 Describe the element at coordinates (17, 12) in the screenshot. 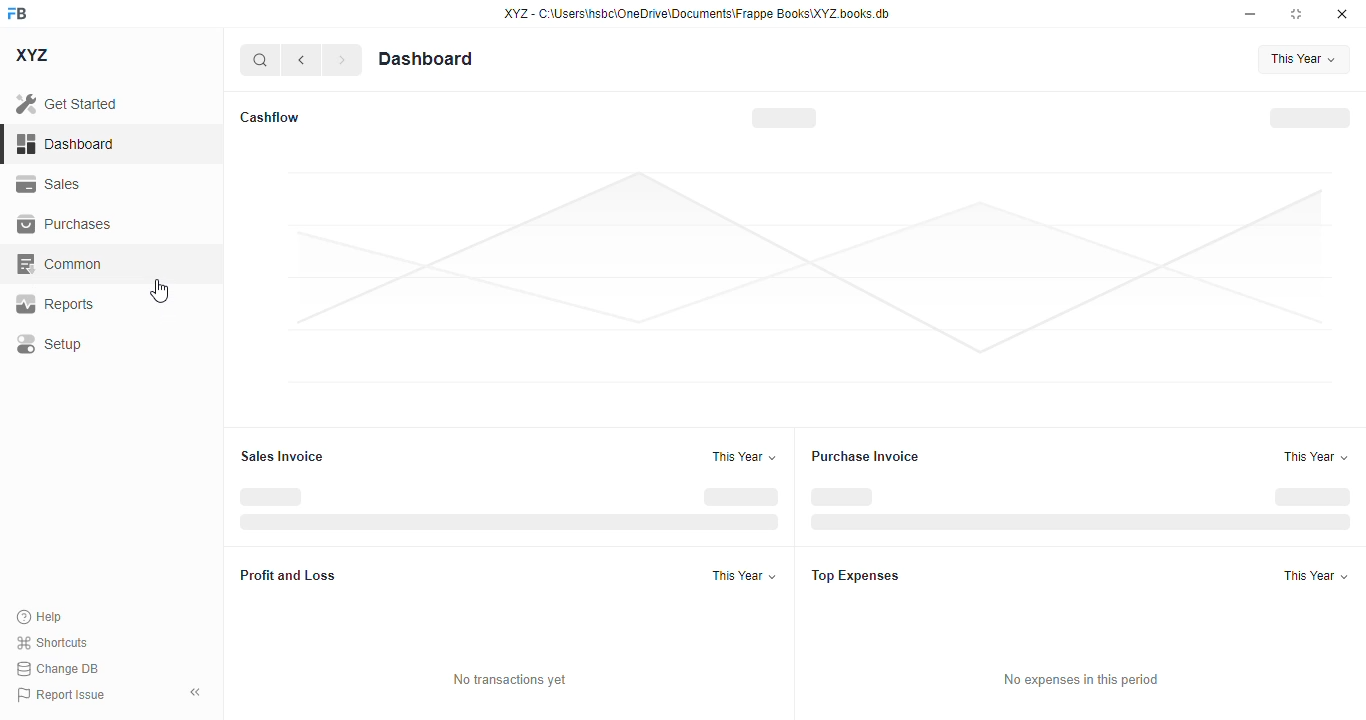

I see `FB logo` at that location.